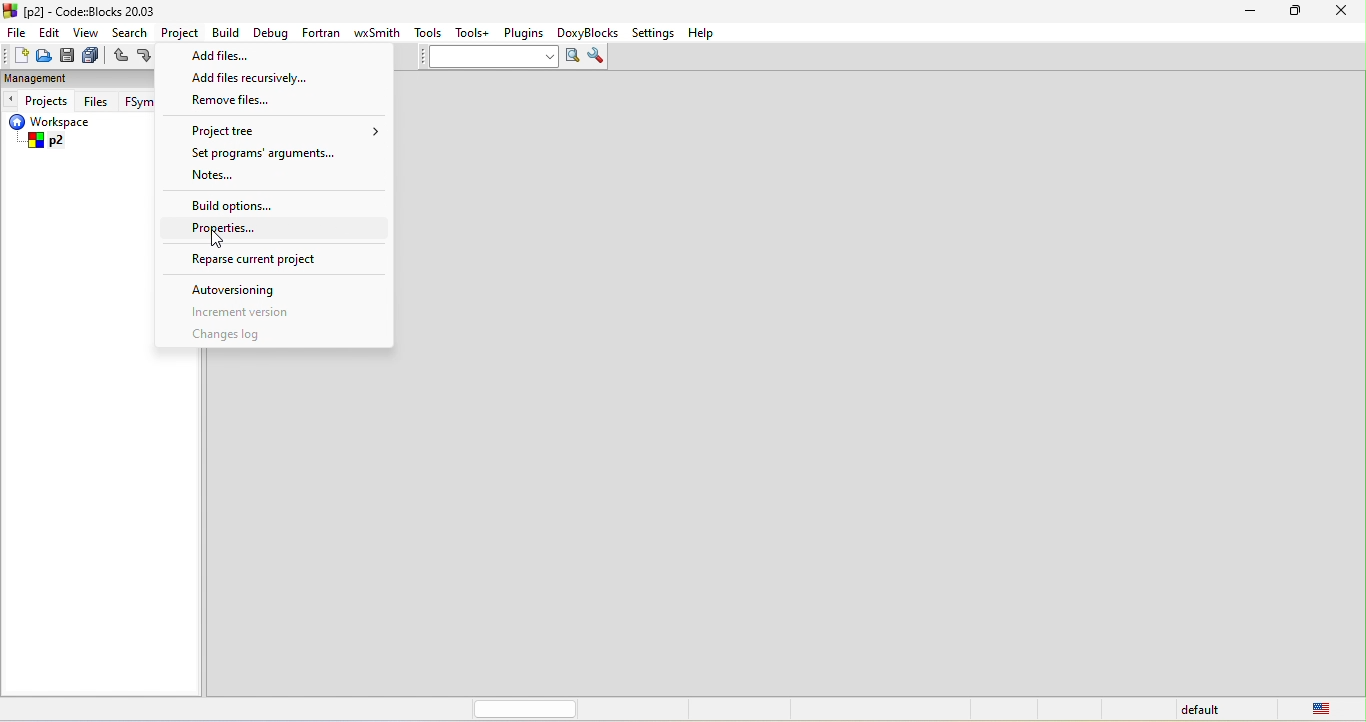 Image resolution: width=1366 pixels, height=722 pixels. What do you see at coordinates (242, 102) in the screenshot?
I see `remove files` at bounding box center [242, 102].